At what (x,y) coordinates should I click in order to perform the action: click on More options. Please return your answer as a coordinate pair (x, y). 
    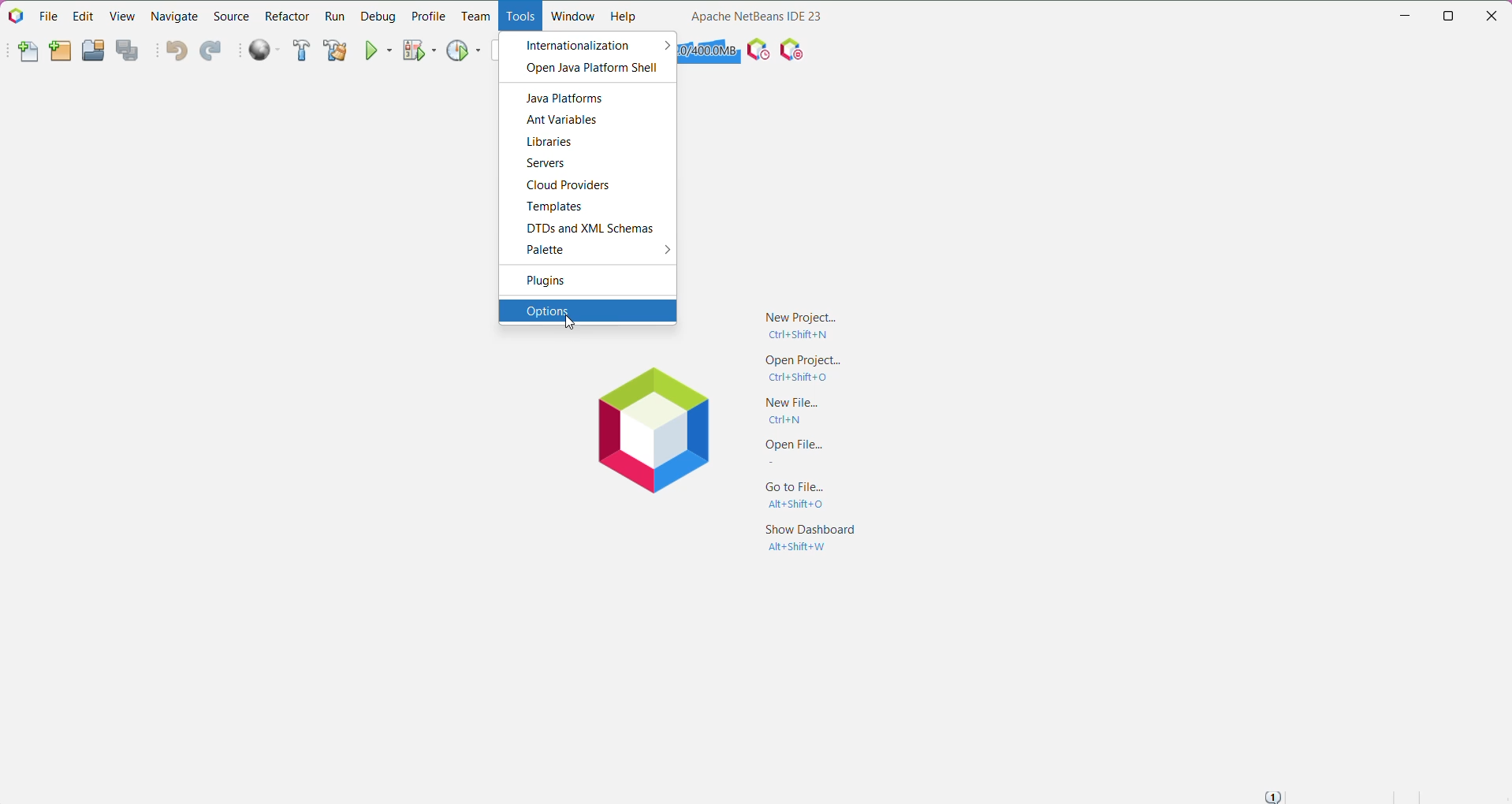
    Looking at the image, I should click on (663, 45).